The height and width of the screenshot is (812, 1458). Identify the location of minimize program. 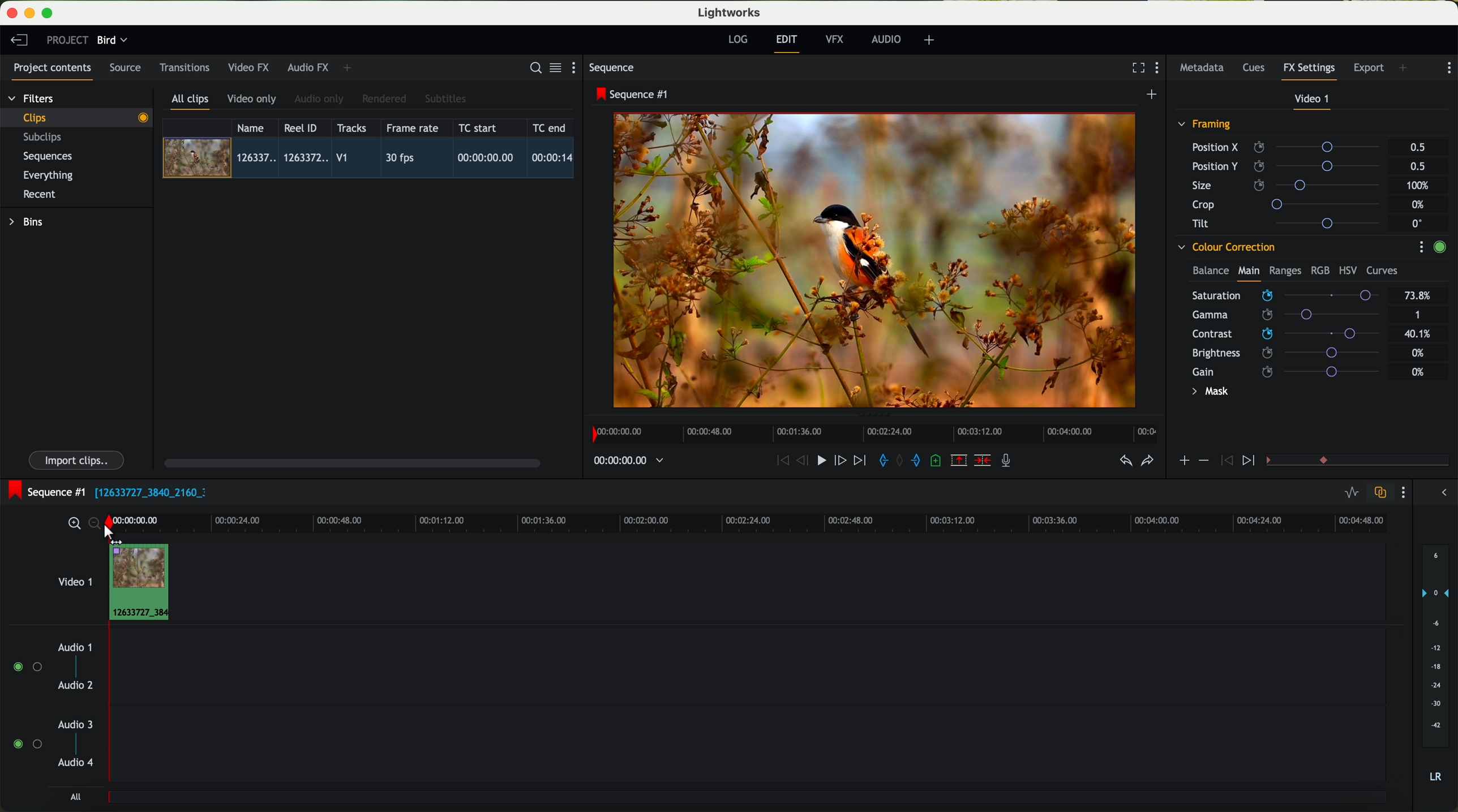
(32, 14).